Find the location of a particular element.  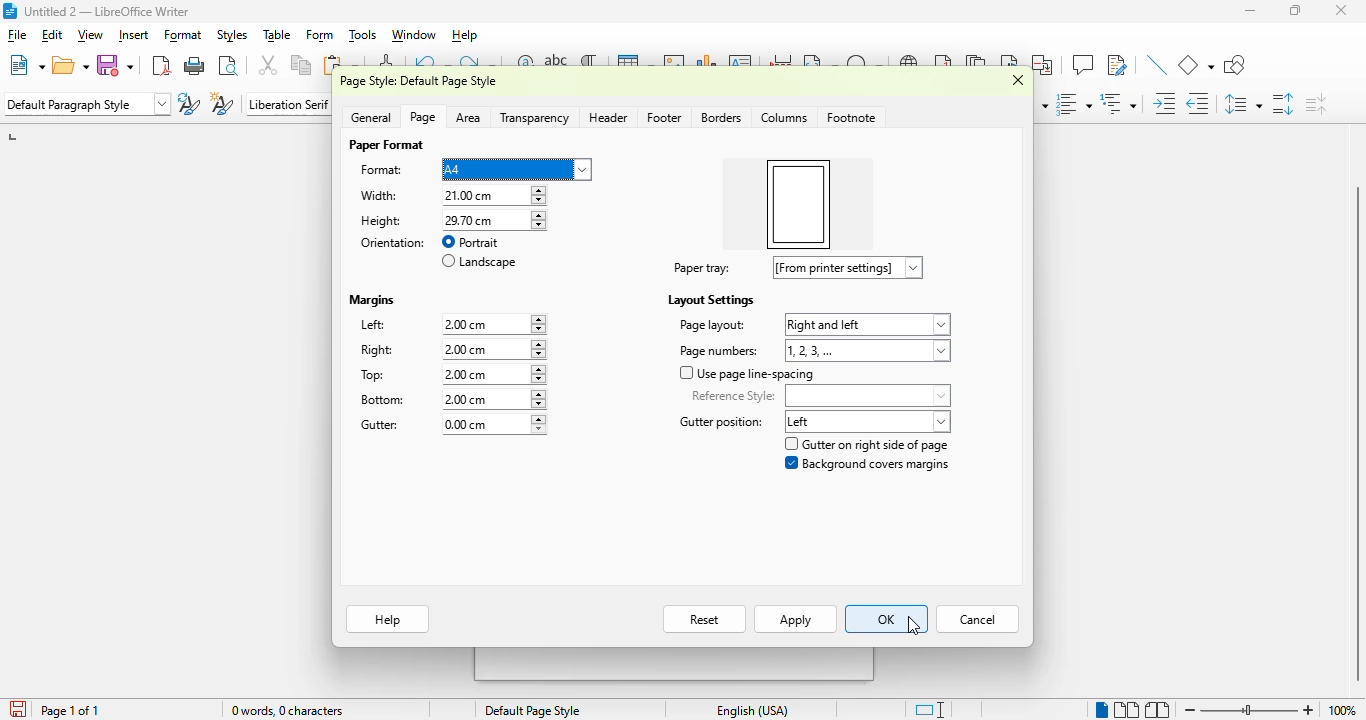

select outline format is located at coordinates (1118, 104).